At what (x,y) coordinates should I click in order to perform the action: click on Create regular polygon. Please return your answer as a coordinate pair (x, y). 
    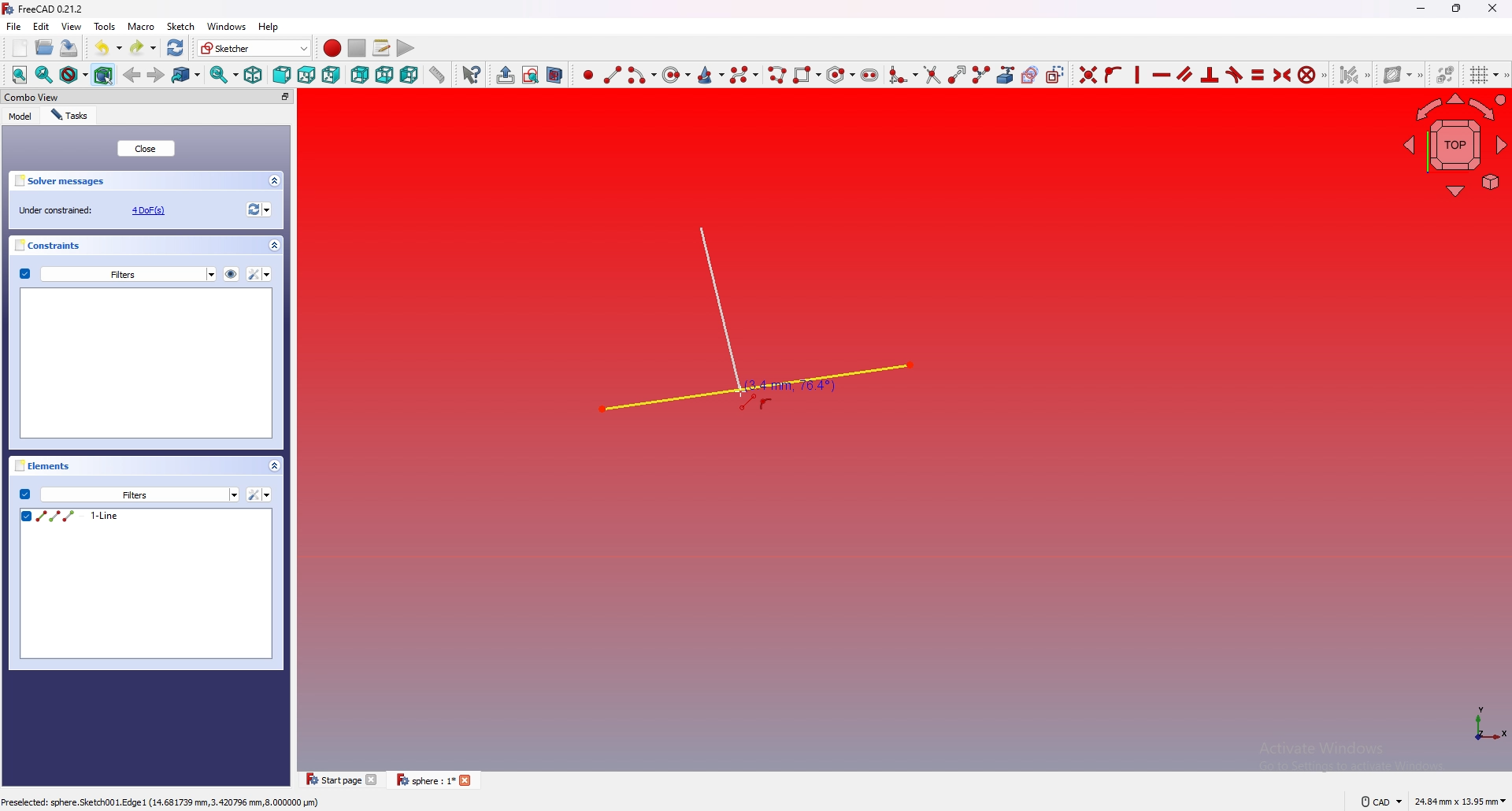
    Looking at the image, I should click on (839, 75).